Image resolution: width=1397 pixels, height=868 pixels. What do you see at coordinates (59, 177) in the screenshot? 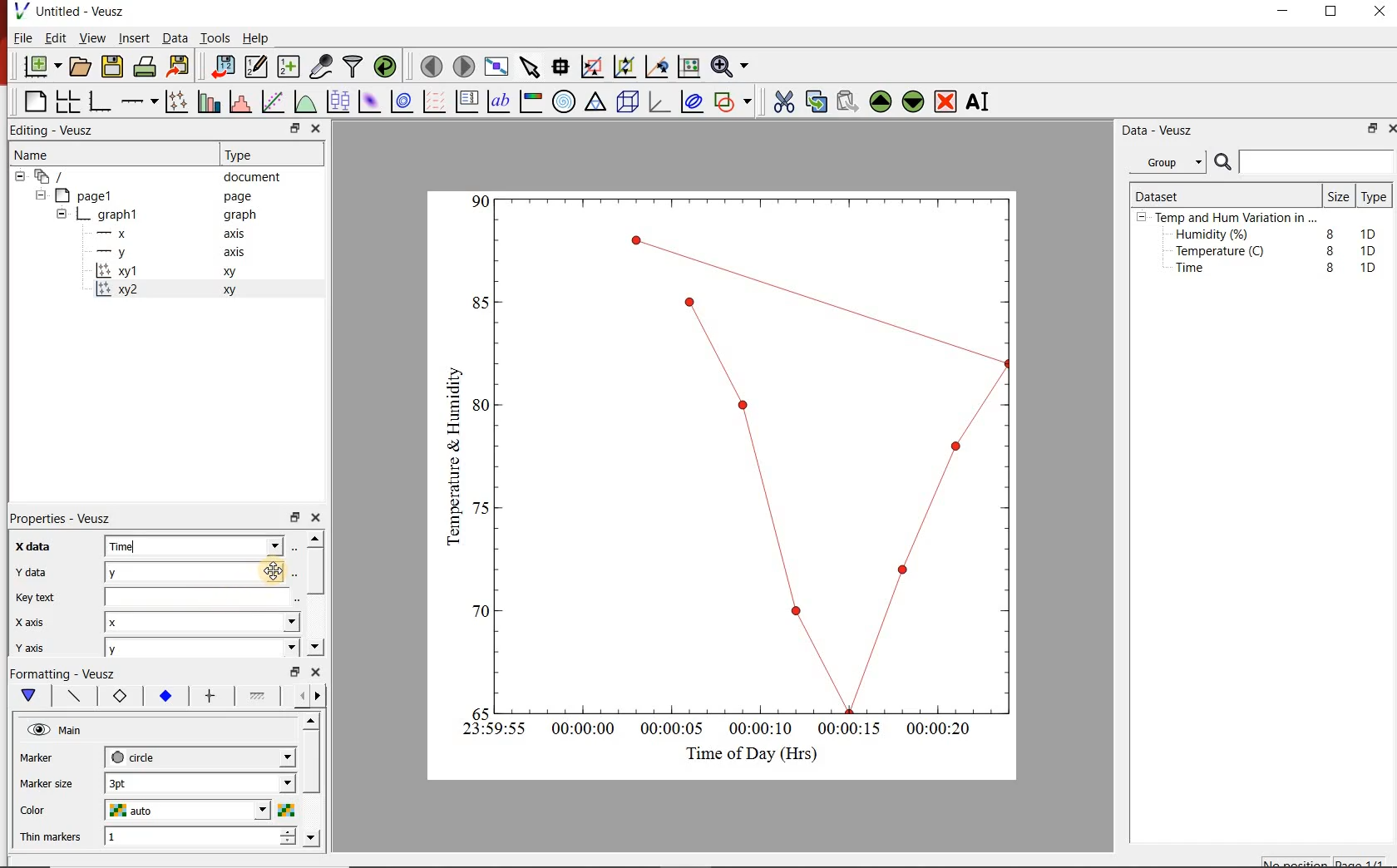
I see `document widget` at bounding box center [59, 177].